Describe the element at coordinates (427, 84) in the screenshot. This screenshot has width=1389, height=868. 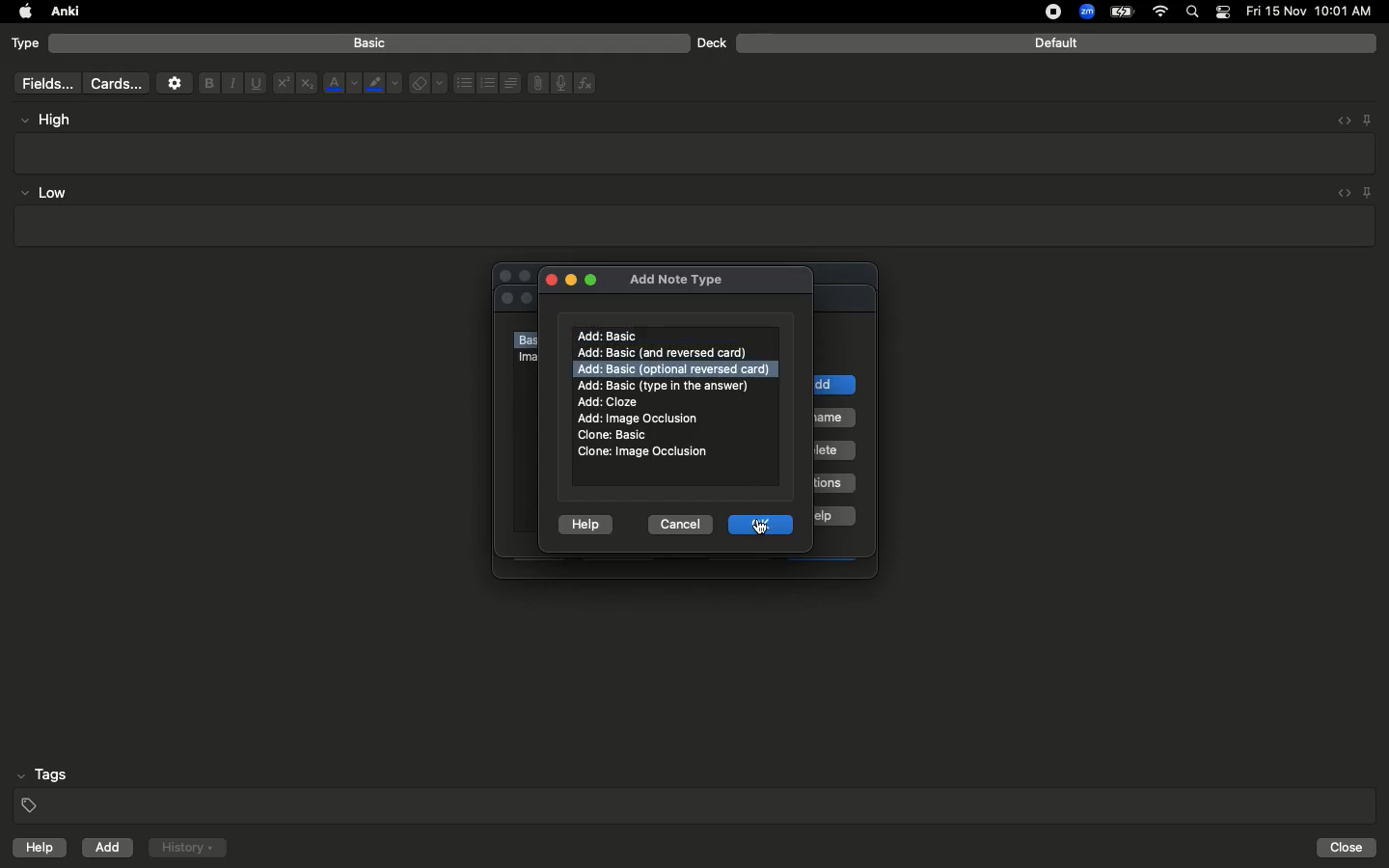
I see `Eraser` at that location.